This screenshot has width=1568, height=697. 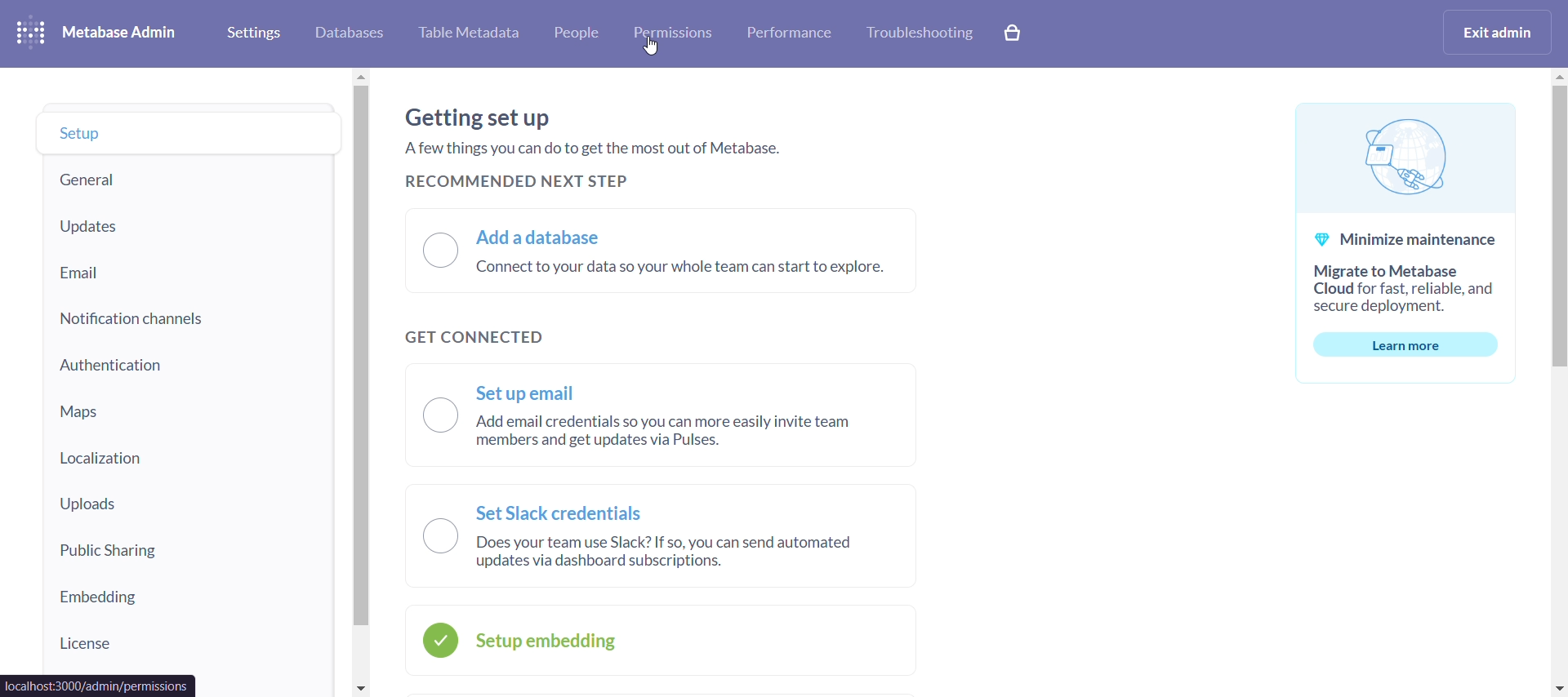 What do you see at coordinates (186, 600) in the screenshot?
I see `embedding` at bounding box center [186, 600].